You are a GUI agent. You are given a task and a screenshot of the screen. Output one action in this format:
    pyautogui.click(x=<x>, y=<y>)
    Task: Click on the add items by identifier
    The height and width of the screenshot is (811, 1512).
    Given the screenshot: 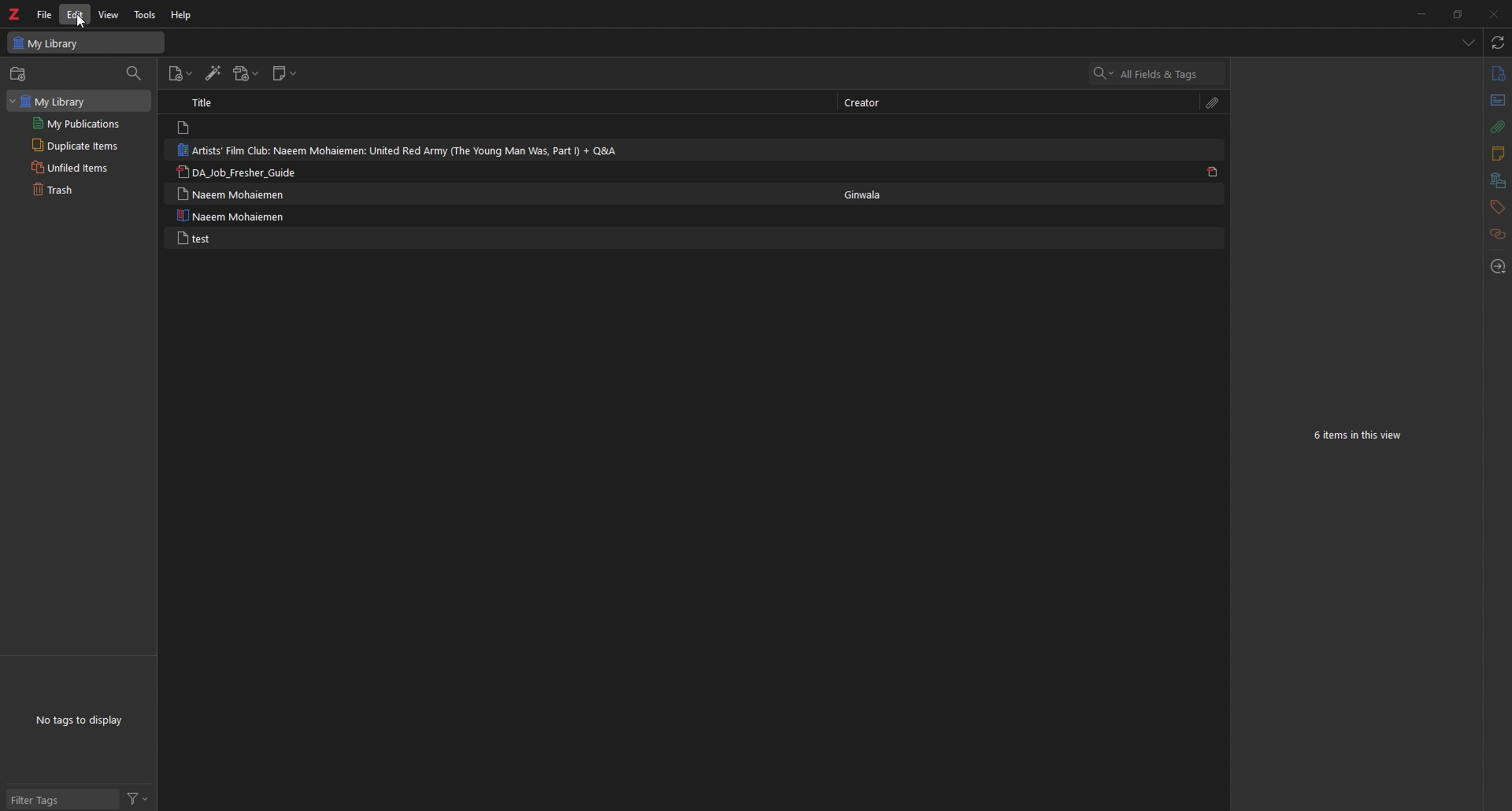 What is the action you would take?
    pyautogui.click(x=213, y=75)
    